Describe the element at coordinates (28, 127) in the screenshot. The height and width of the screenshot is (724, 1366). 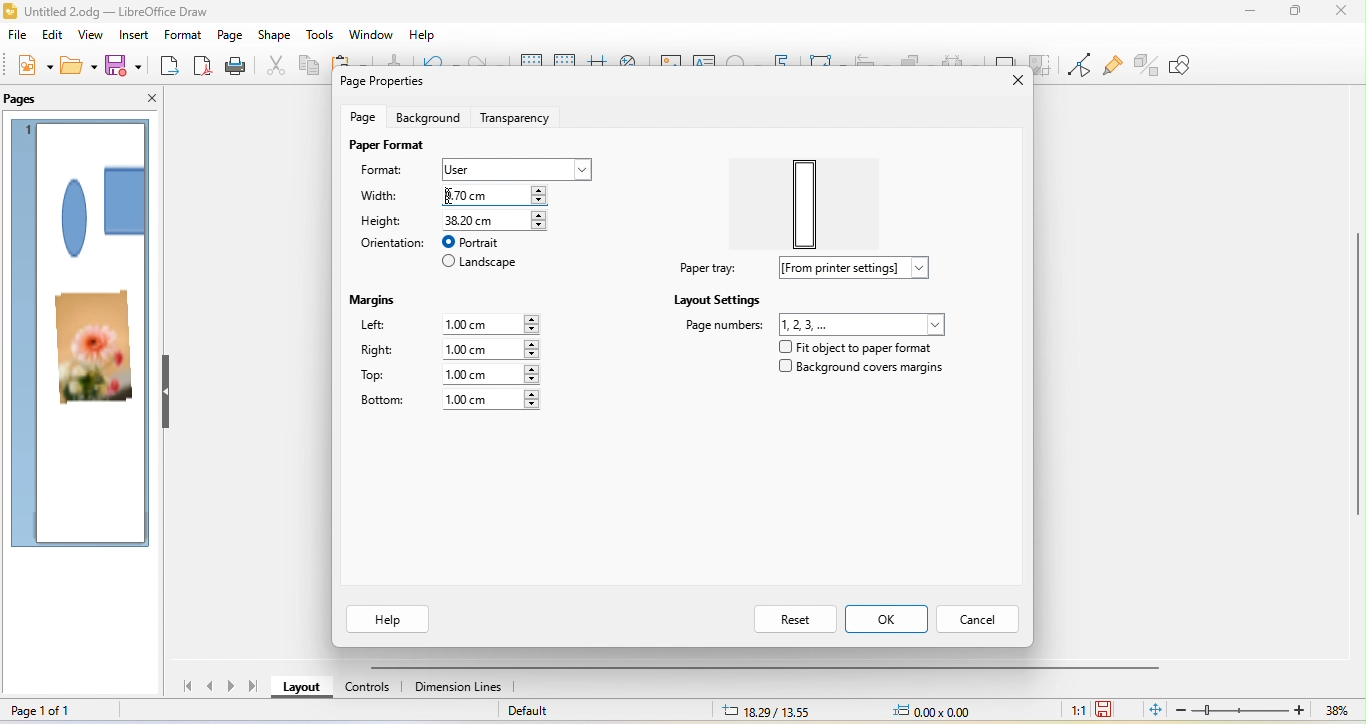
I see `page 1` at that location.